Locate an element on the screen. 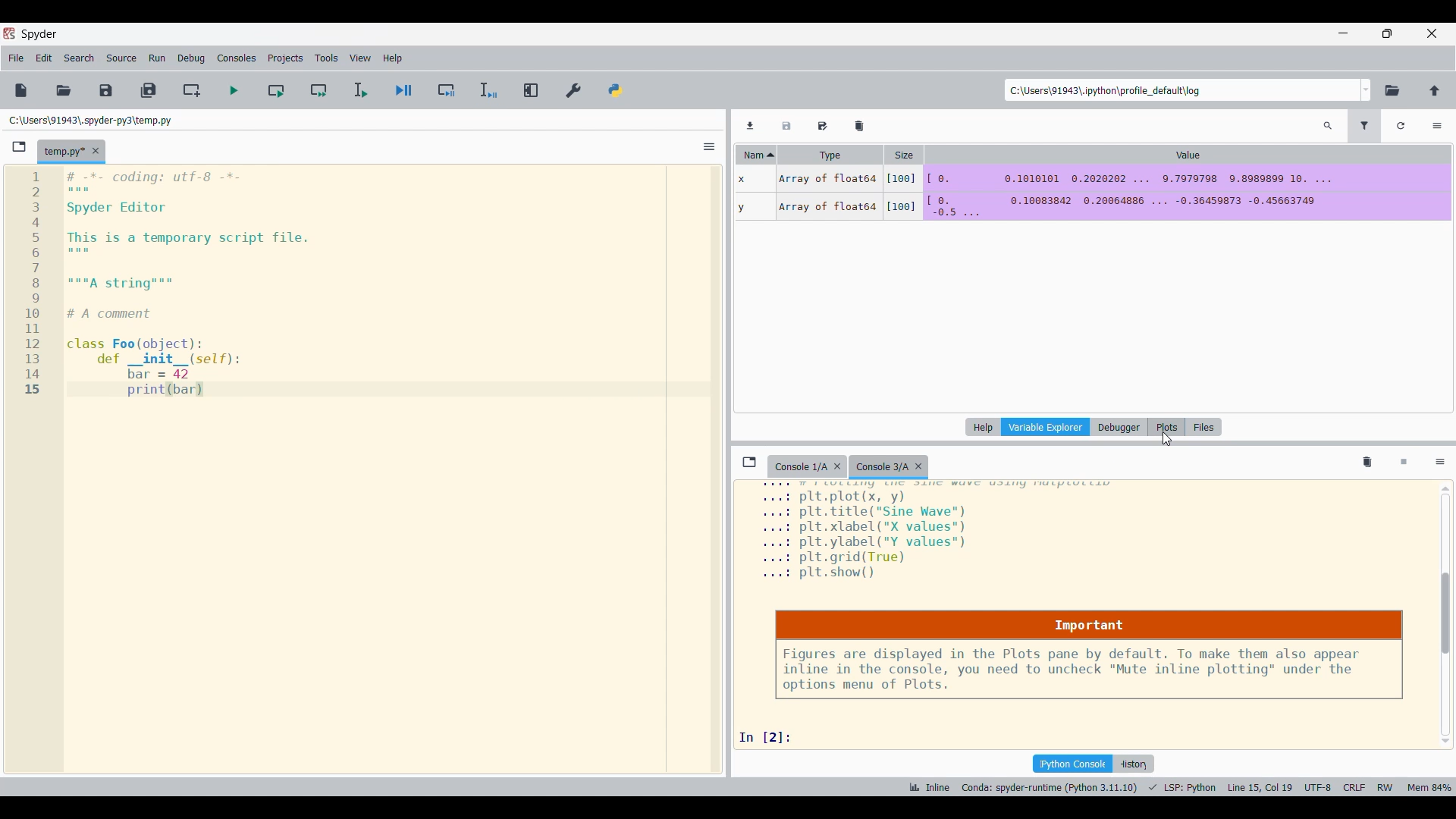  CURSOR is located at coordinates (1171, 438).